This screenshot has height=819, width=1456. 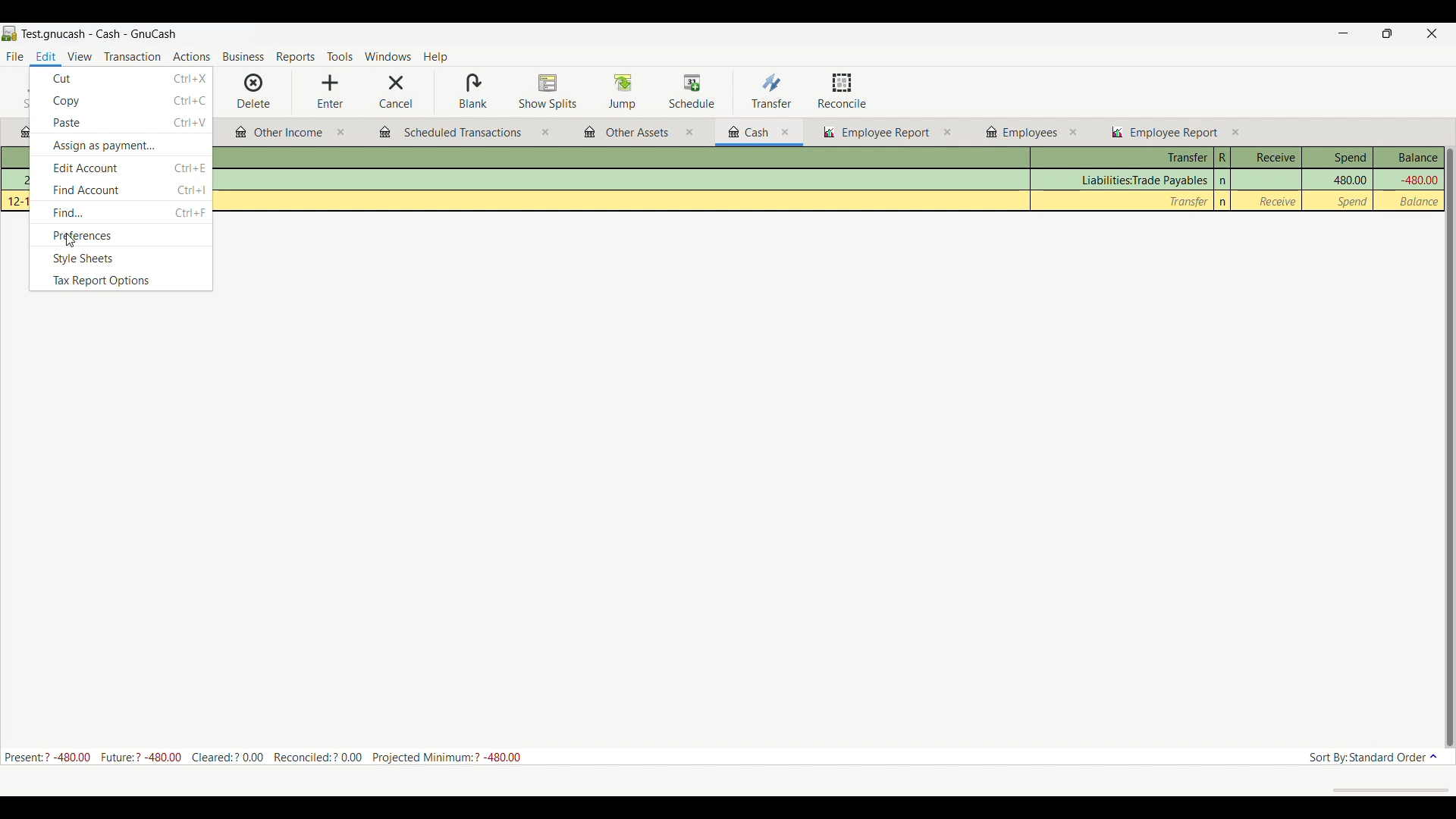 What do you see at coordinates (473, 91) in the screenshot?
I see `Blank` at bounding box center [473, 91].